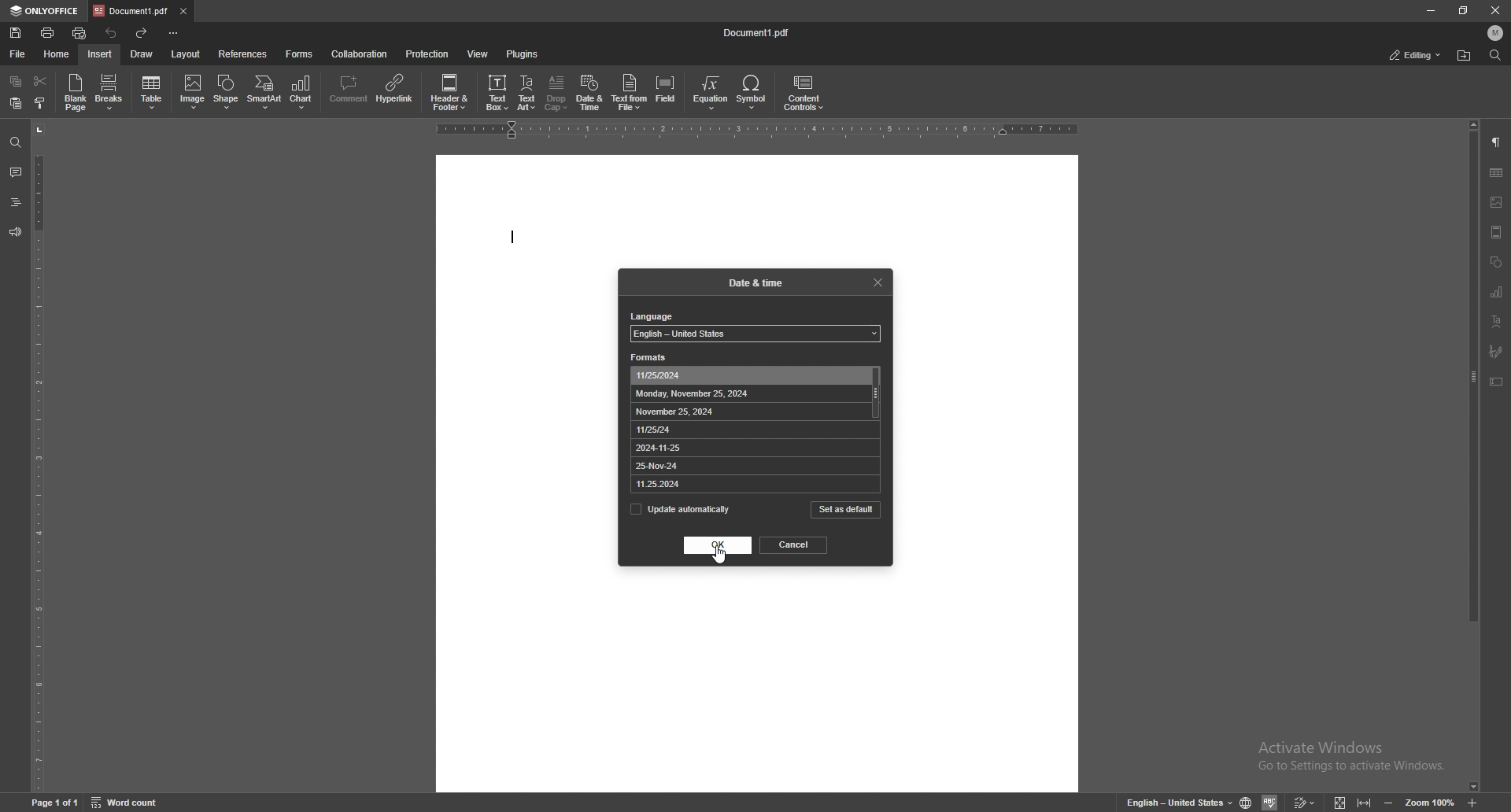  What do you see at coordinates (16, 101) in the screenshot?
I see `paste` at bounding box center [16, 101].